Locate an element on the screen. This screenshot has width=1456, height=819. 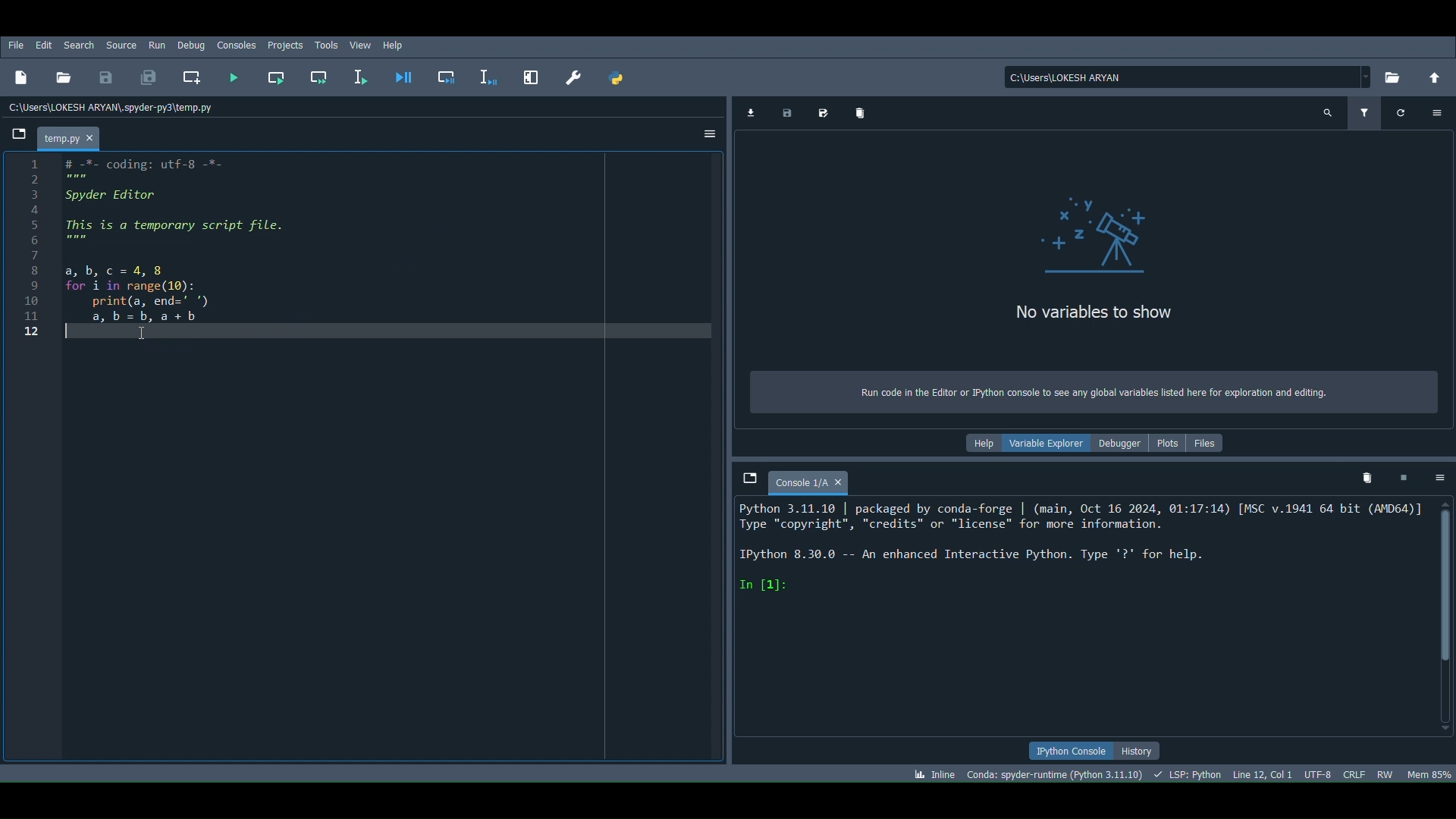
Browse tabs is located at coordinates (752, 477).